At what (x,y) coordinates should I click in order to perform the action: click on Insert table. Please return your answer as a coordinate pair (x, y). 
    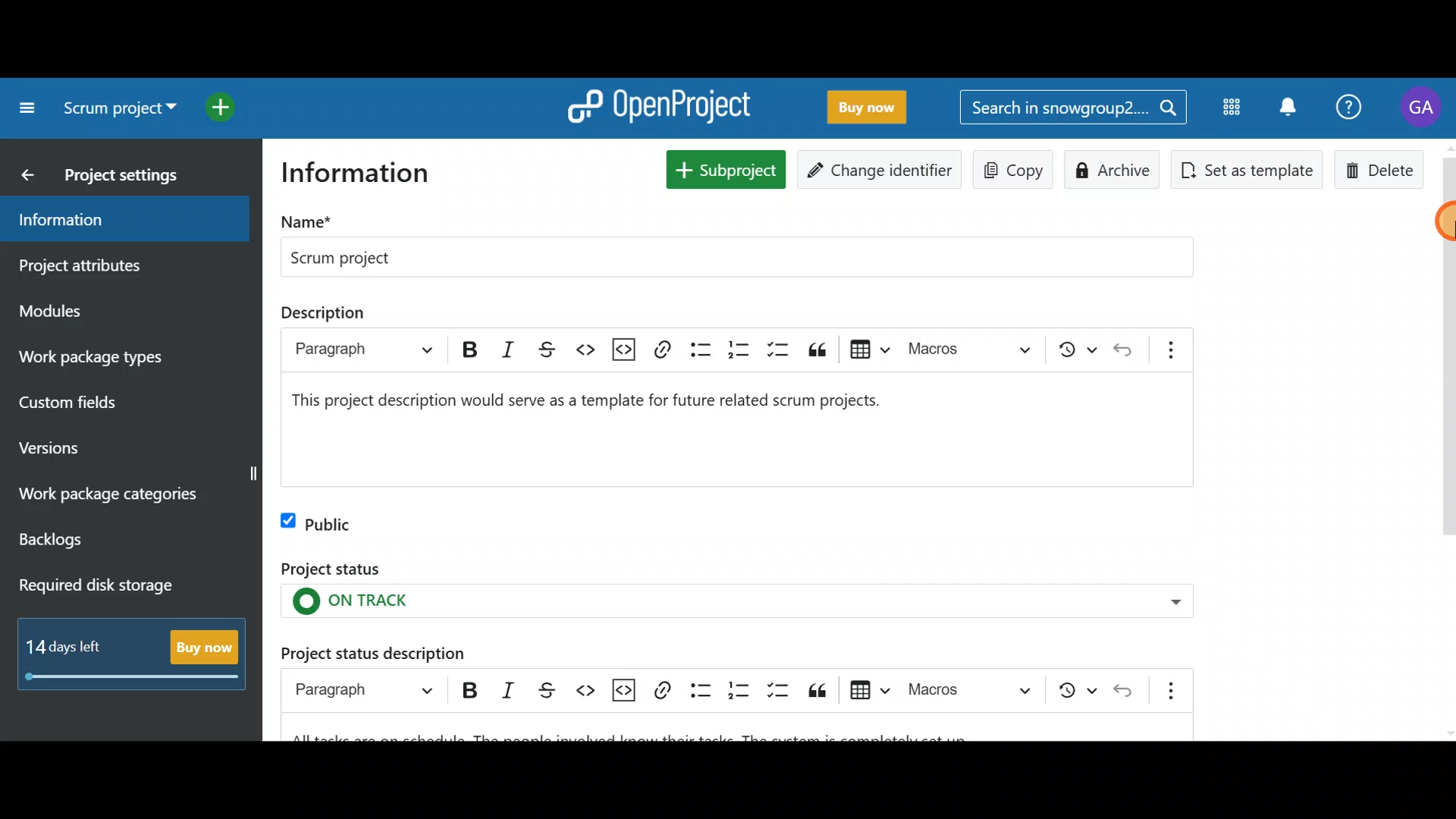
    Looking at the image, I should click on (868, 692).